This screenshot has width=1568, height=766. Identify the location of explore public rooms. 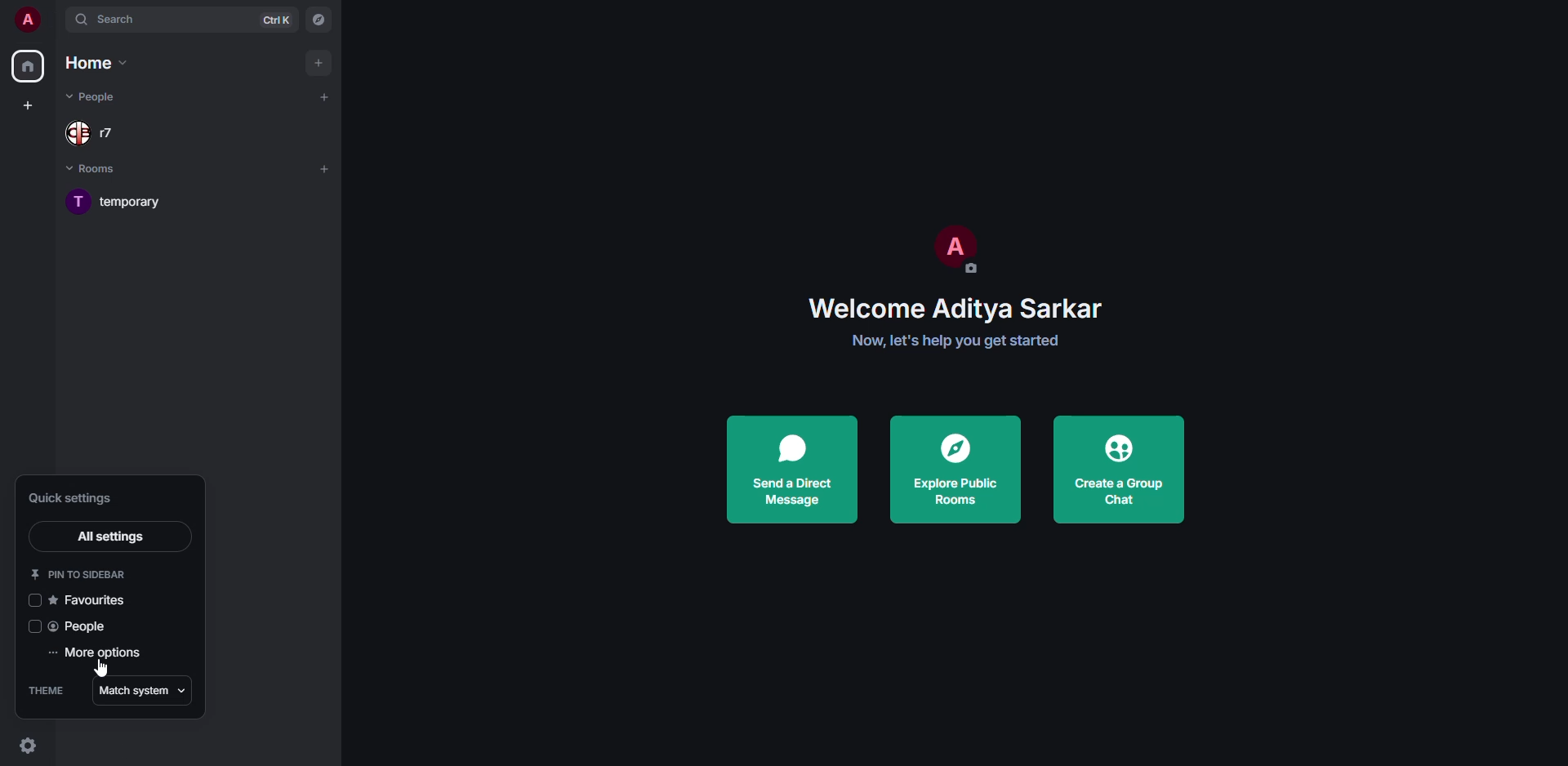
(957, 470).